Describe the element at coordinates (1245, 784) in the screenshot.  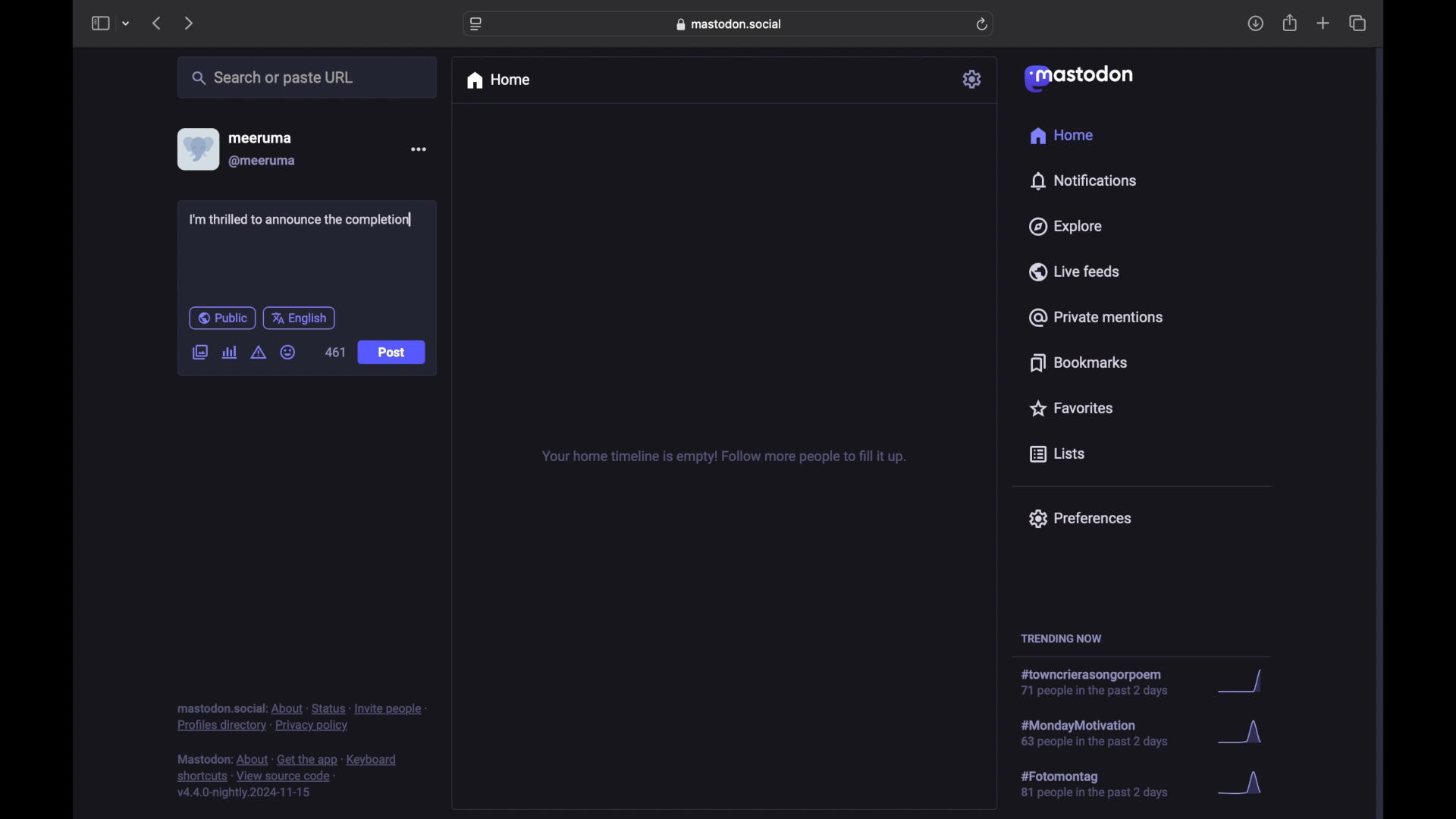
I see `graph` at that location.